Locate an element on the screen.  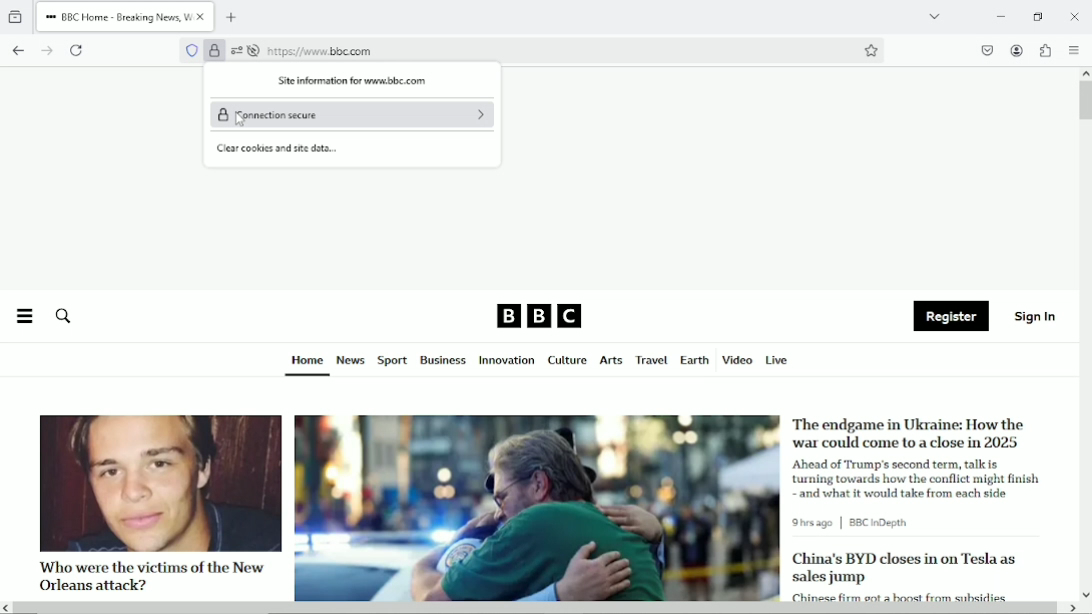
Business is located at coordinates (443, 360).